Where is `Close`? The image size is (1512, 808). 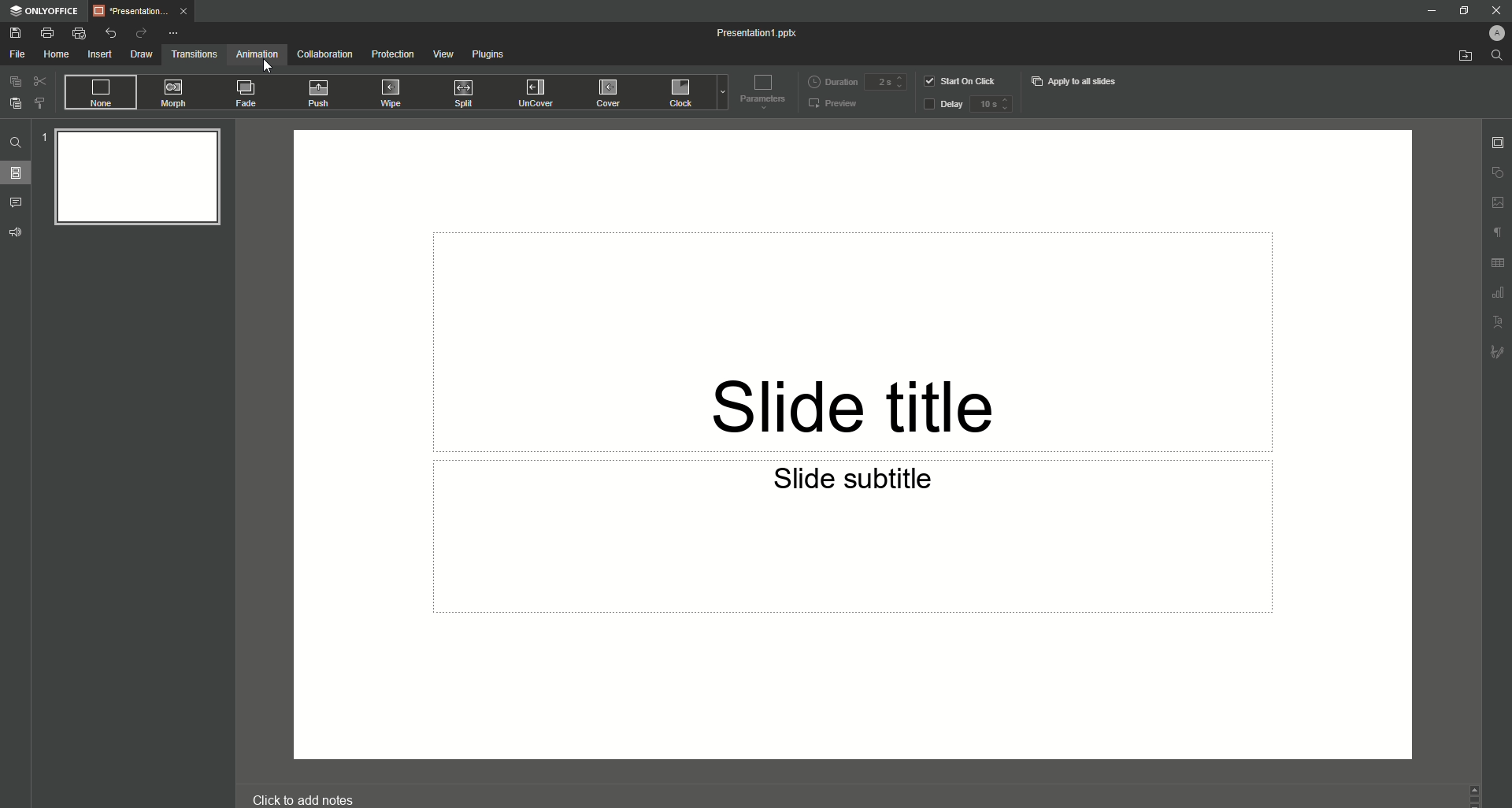 Close is located at coordinates (1494, 10).